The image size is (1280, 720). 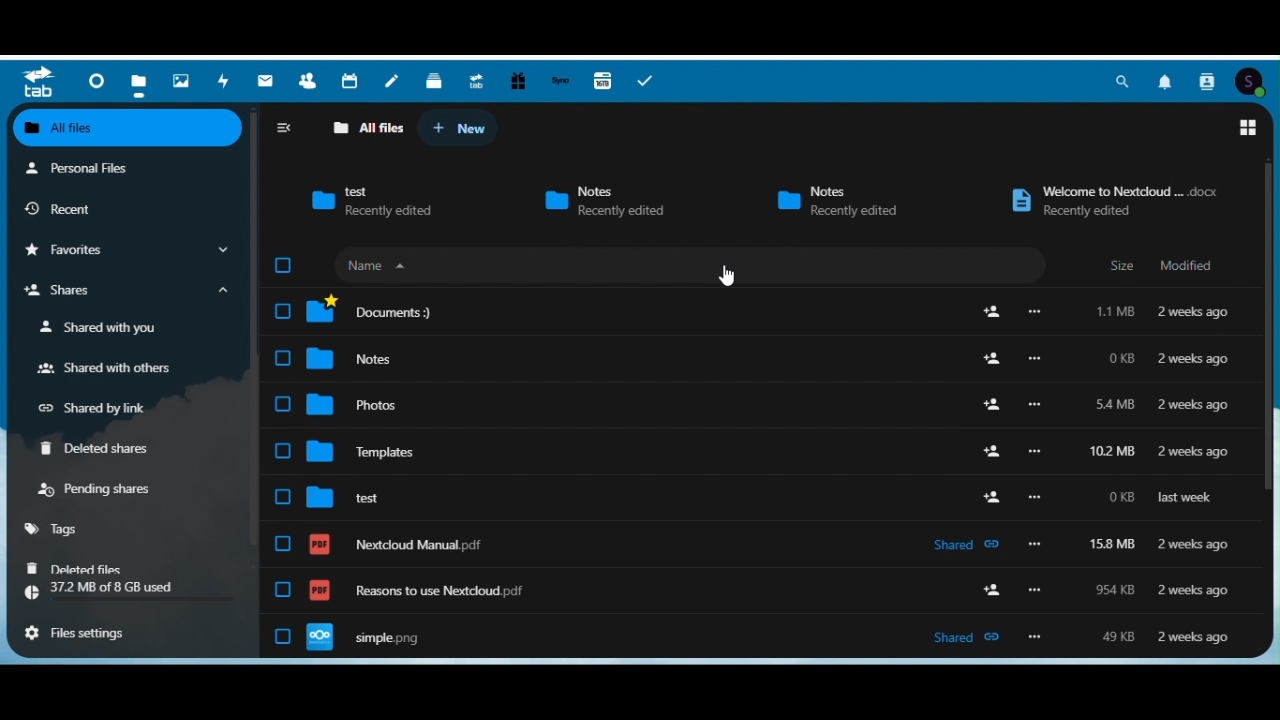 What do you see at coordinates (1209, 81) in the screenshot?
I see `Contacts` at bounding box center [1209, 81].